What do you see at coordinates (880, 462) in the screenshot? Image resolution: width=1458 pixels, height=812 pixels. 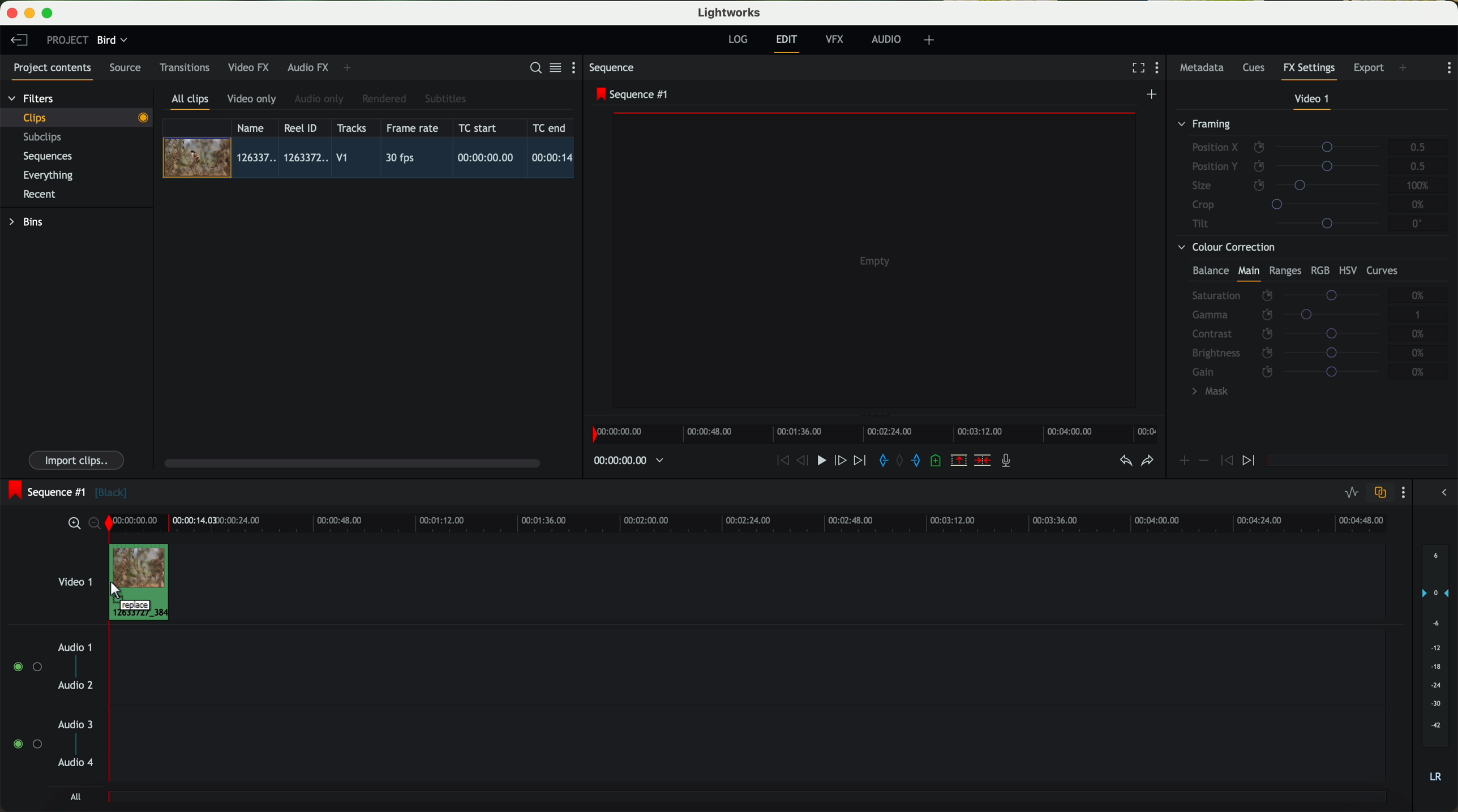 I see `add 'in' mark` at bounding box center [880, 462].